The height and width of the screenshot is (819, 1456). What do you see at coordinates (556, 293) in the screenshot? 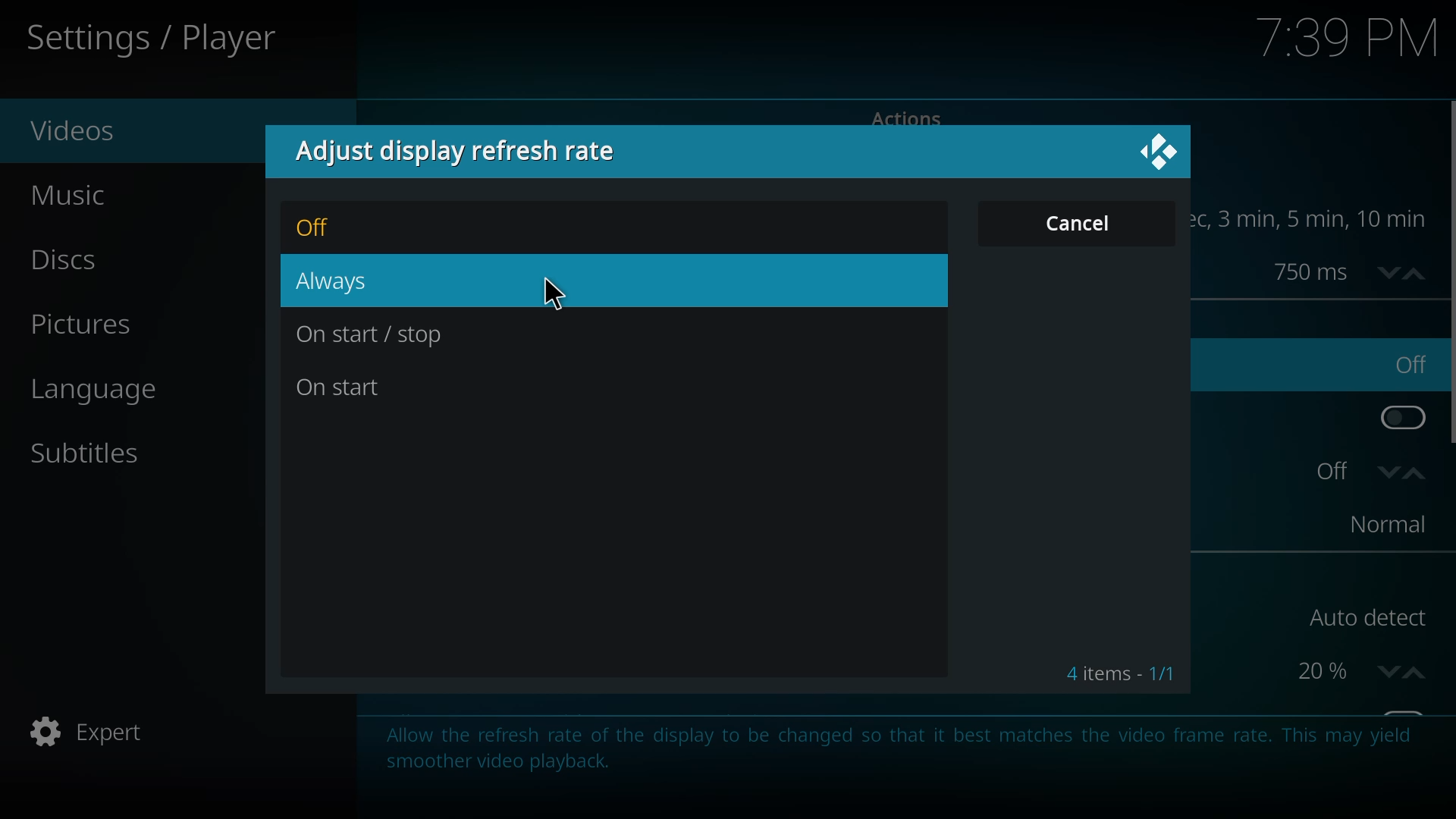
I see `cursor` at bounding box center [556, 293].